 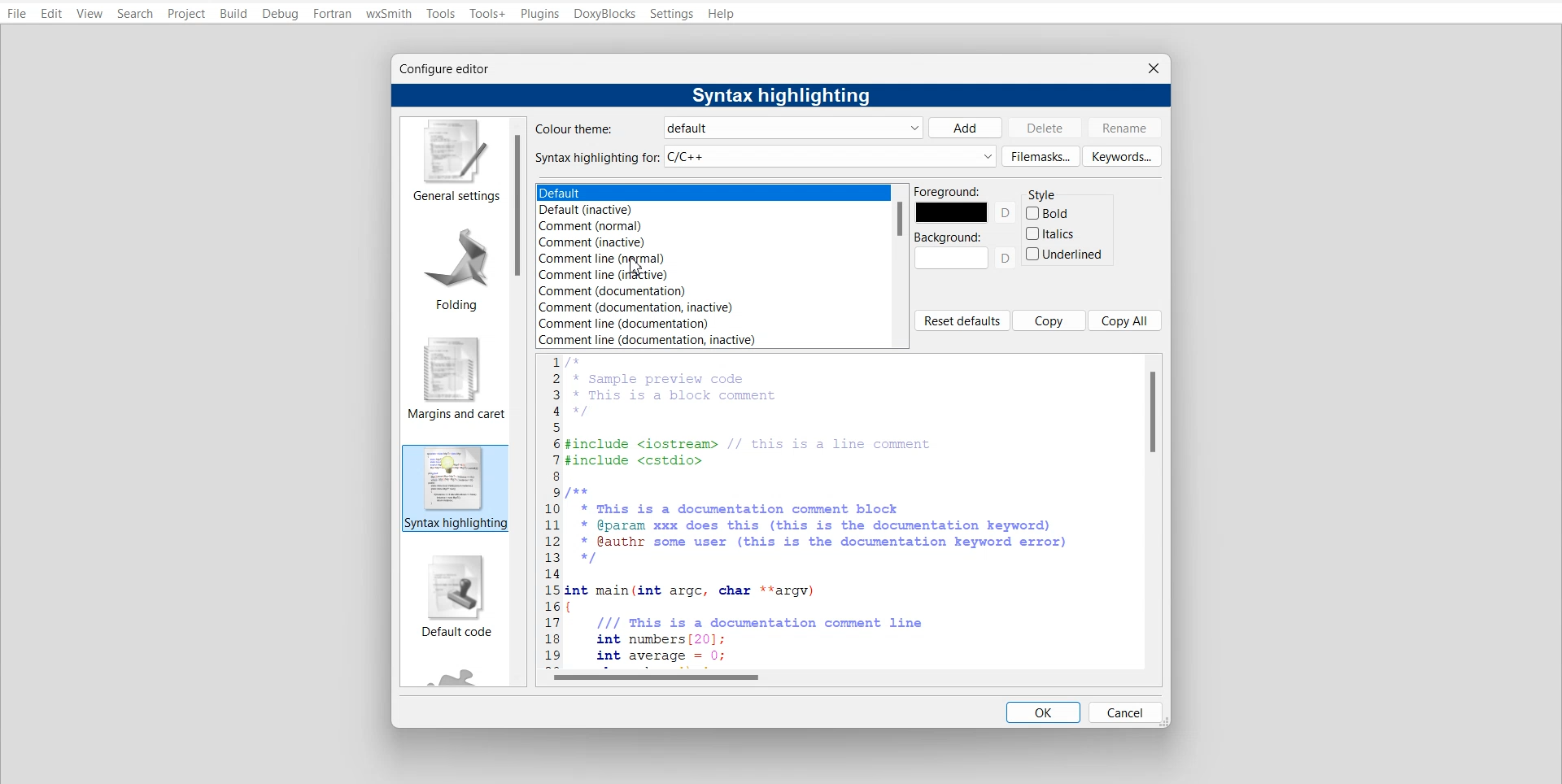 I want to click on Filemasks, so click(x=1040, y=156).